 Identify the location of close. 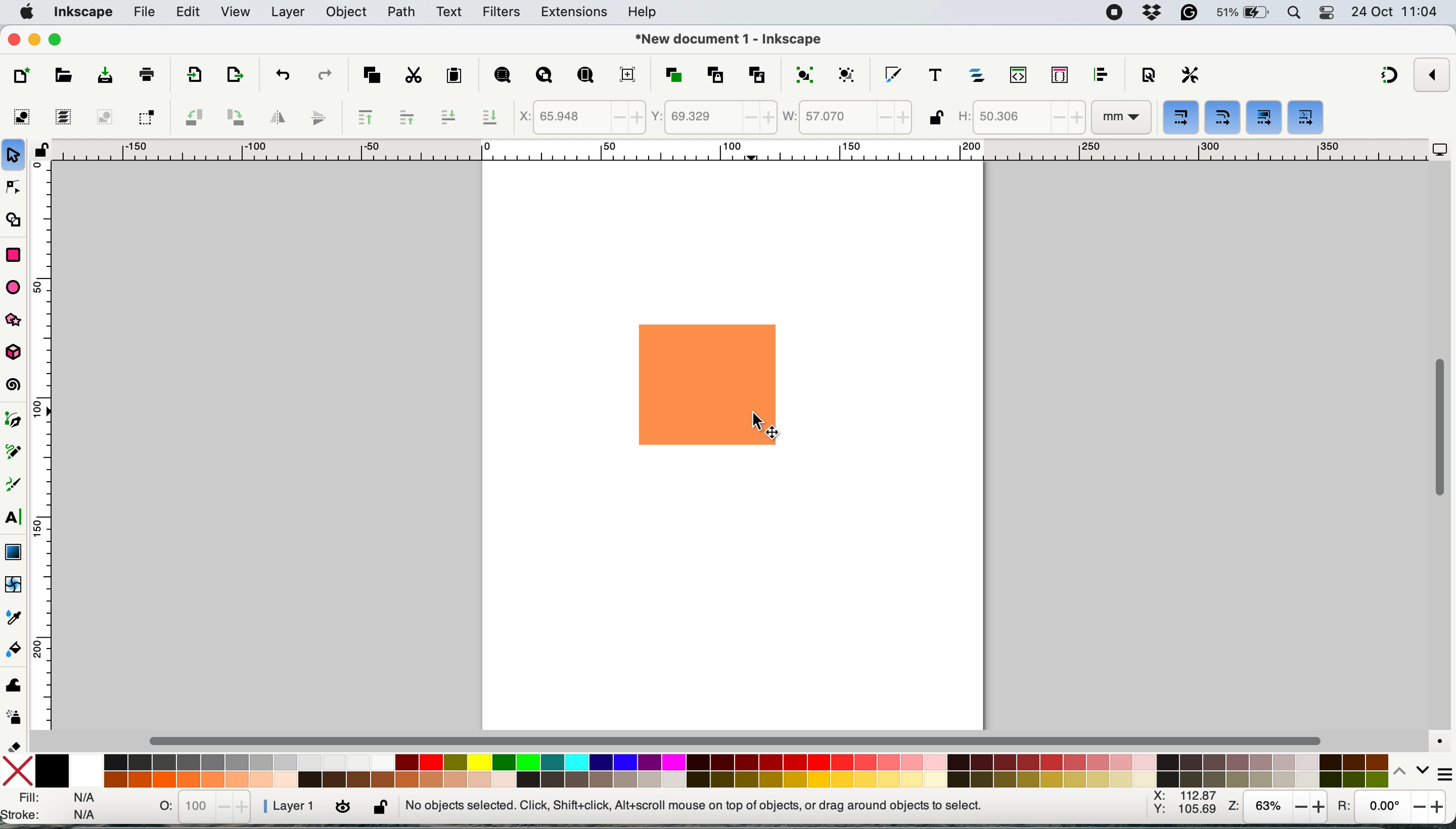
(14, 40).